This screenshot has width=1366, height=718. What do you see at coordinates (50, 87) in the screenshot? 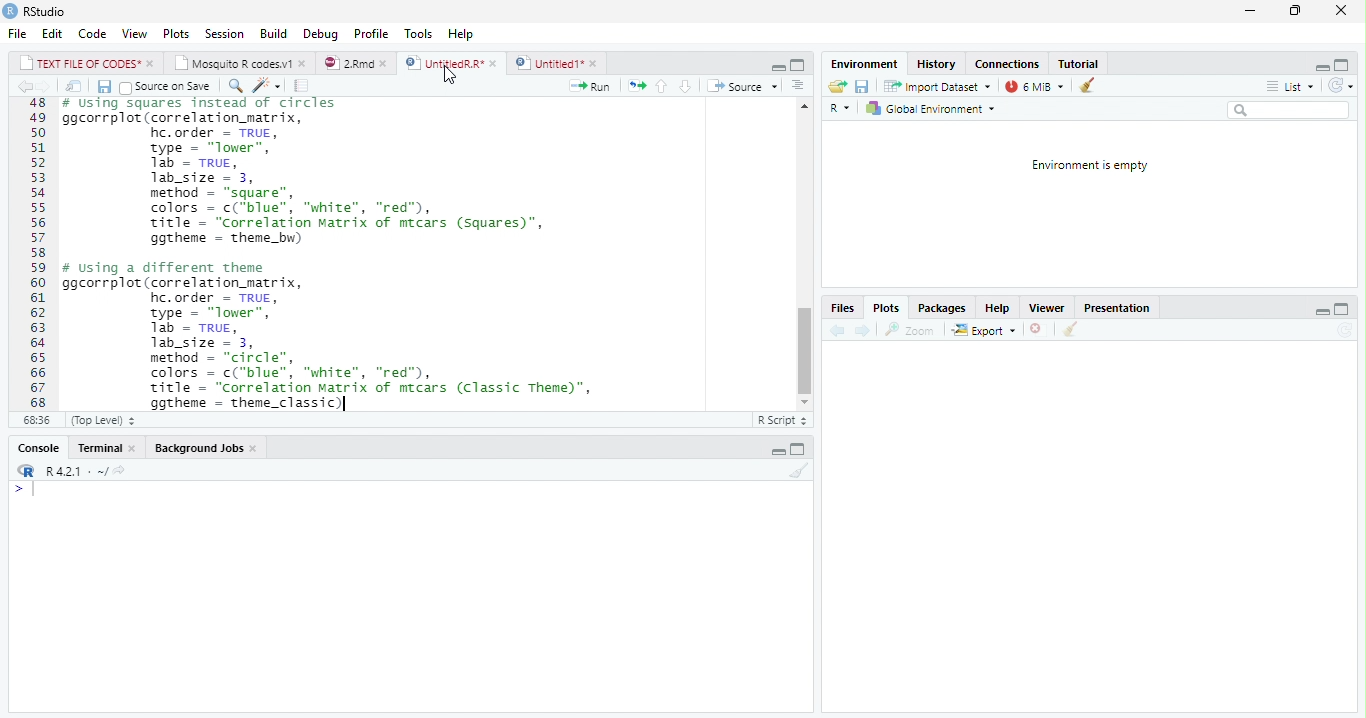
I see `go back to the next source location` at bounding box center [50, 87].